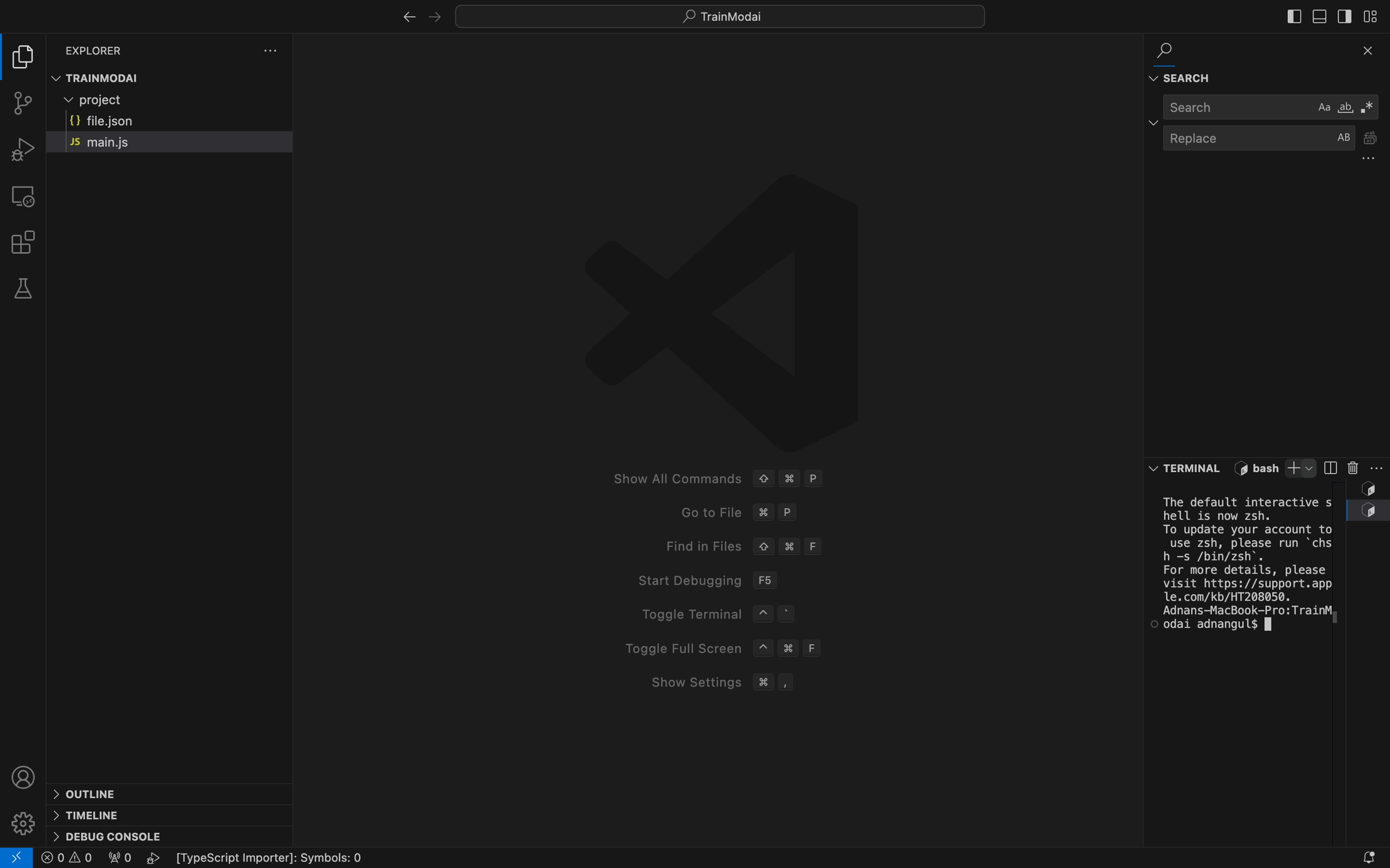 This screenshot has height=868, width=1390. I want to click on terminal name, so click(1254, 468).